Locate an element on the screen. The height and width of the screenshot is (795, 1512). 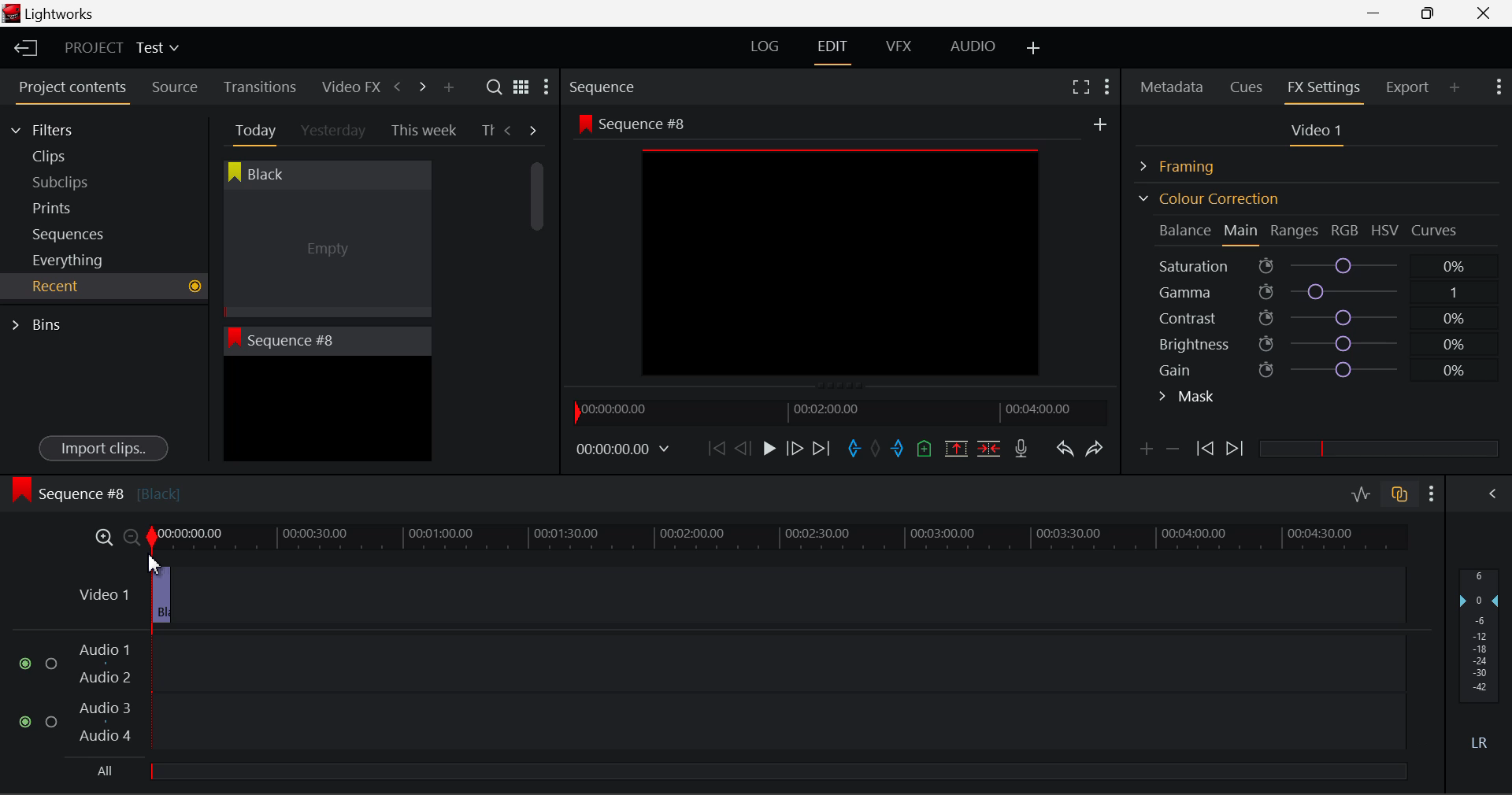
Brightness is located at coordinates (1318, 341).